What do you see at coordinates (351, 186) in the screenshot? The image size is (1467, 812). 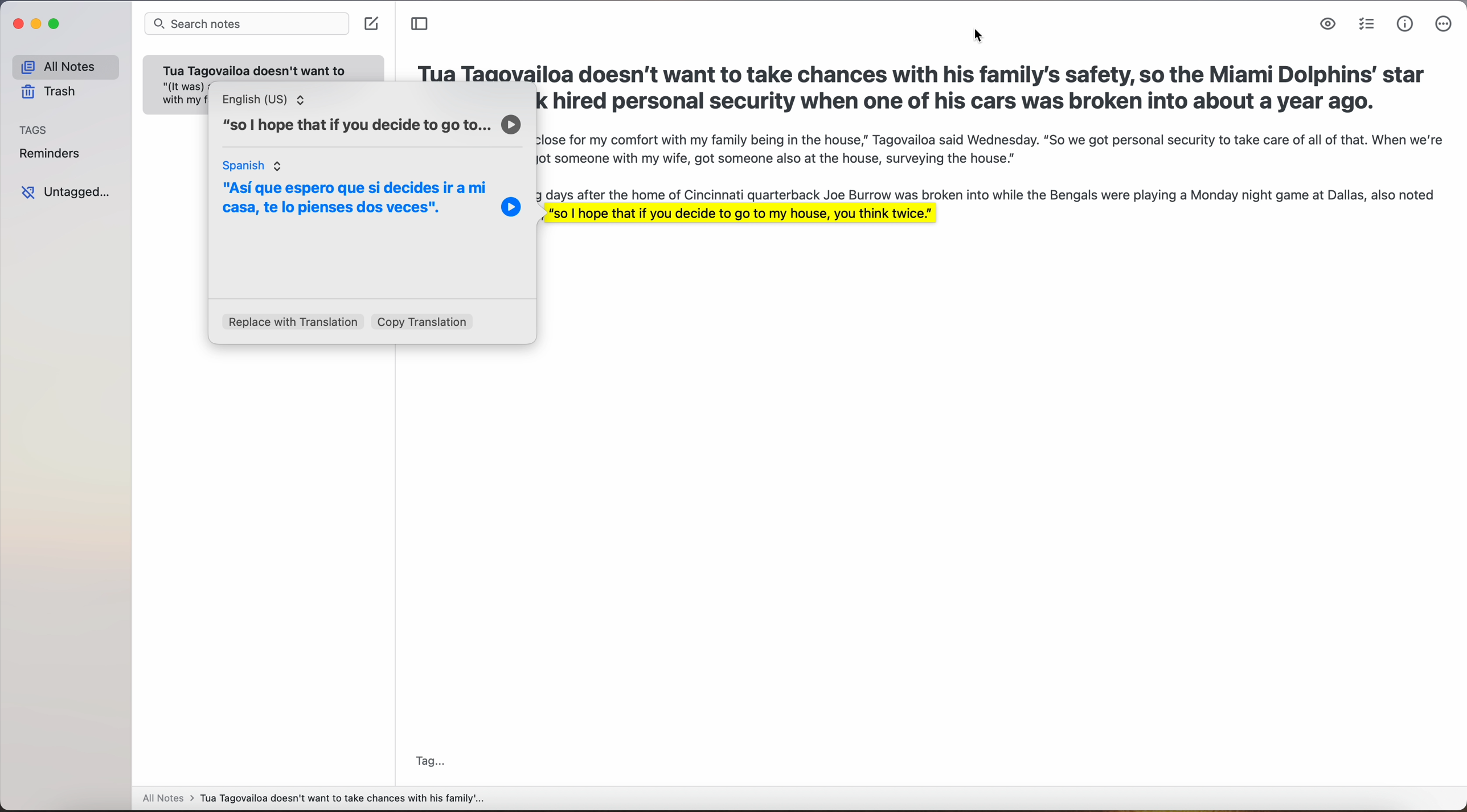 I see `spanish translation` at bounding box center [351, 186].